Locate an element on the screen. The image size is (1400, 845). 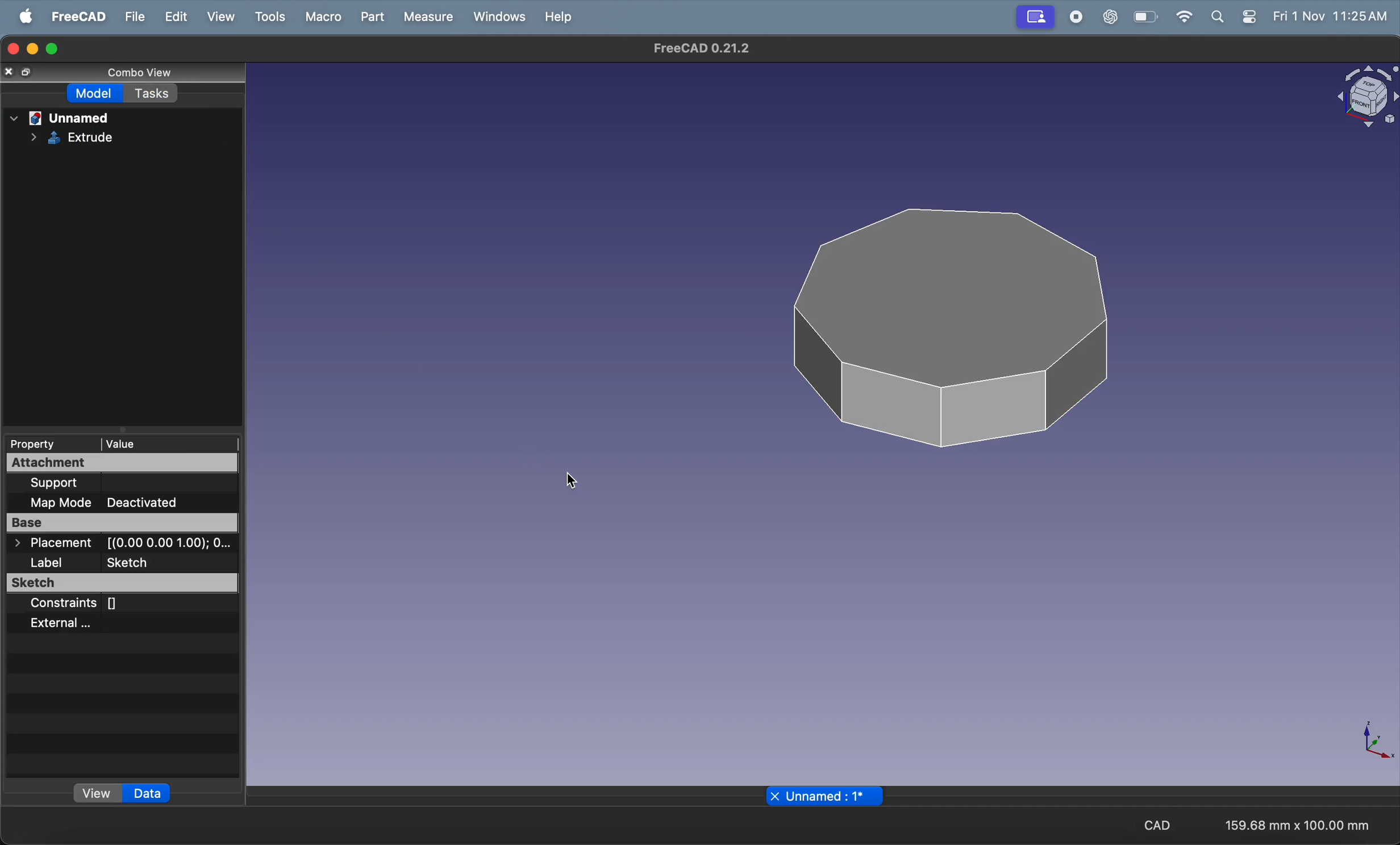
combo view is located at coordinates (135, 73).